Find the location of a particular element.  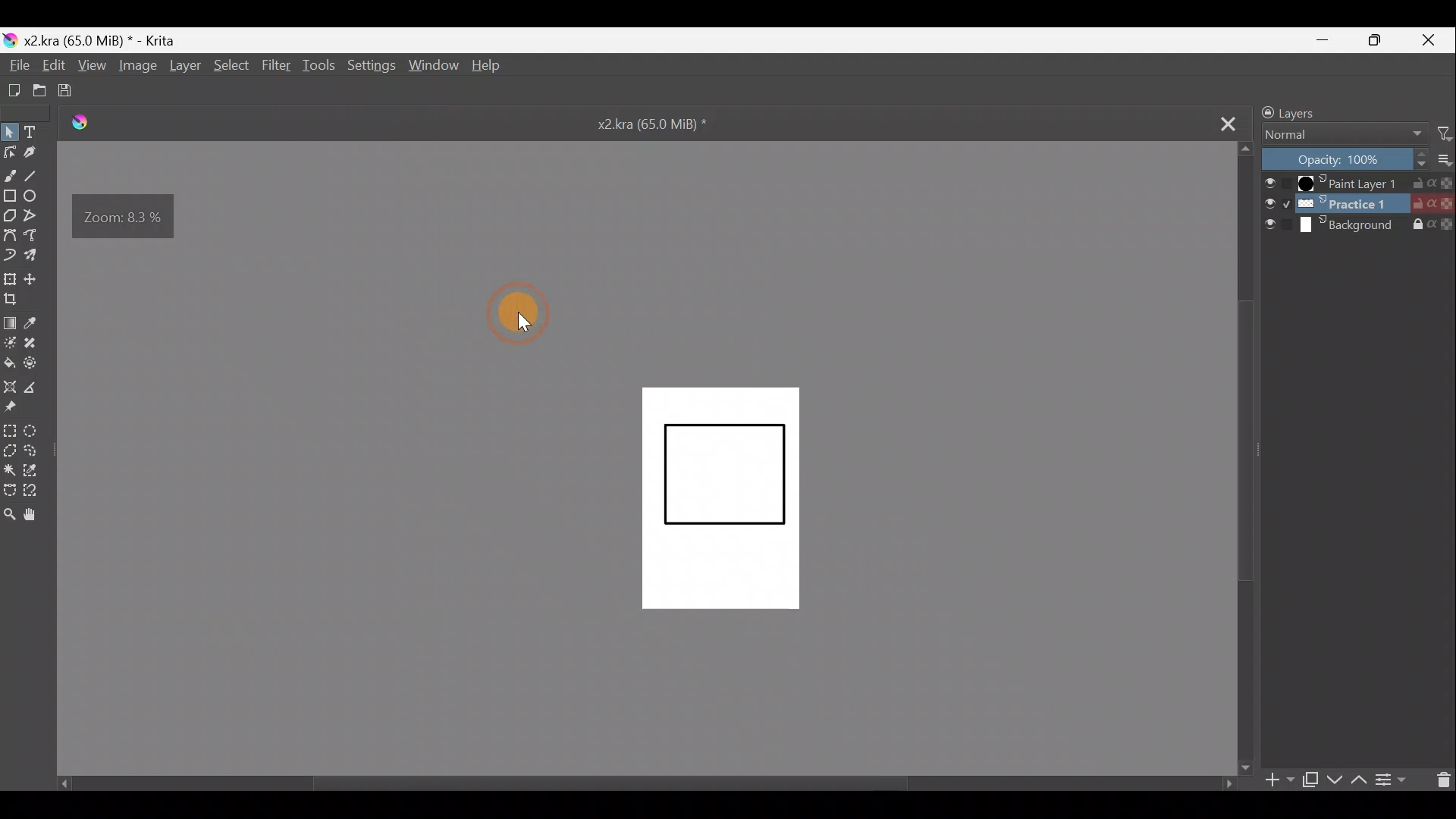

Open an existing document is located at coordinates (39, 89).